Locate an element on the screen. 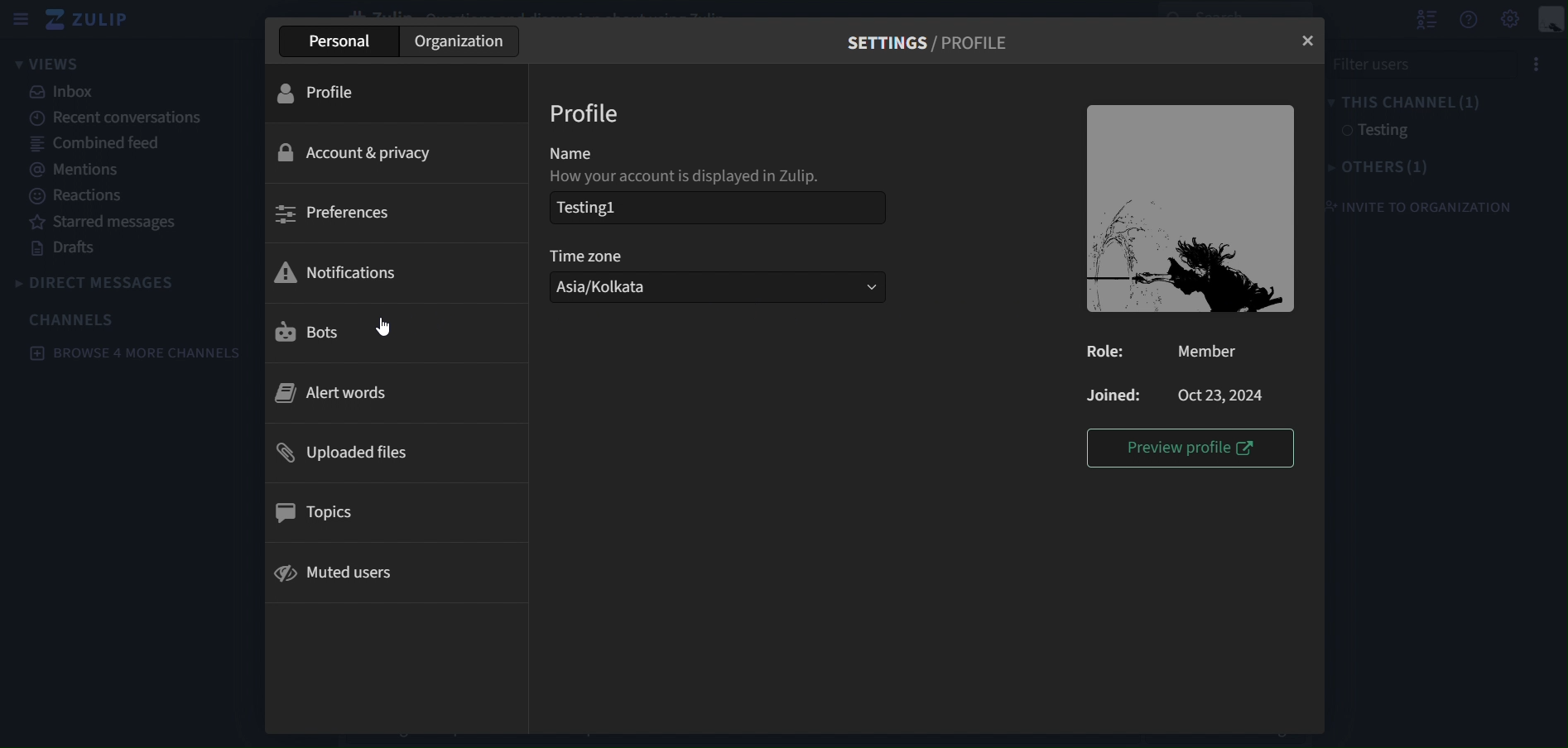 This screenshot has width=1568, height=748. name is located at coordinates (709, 162).